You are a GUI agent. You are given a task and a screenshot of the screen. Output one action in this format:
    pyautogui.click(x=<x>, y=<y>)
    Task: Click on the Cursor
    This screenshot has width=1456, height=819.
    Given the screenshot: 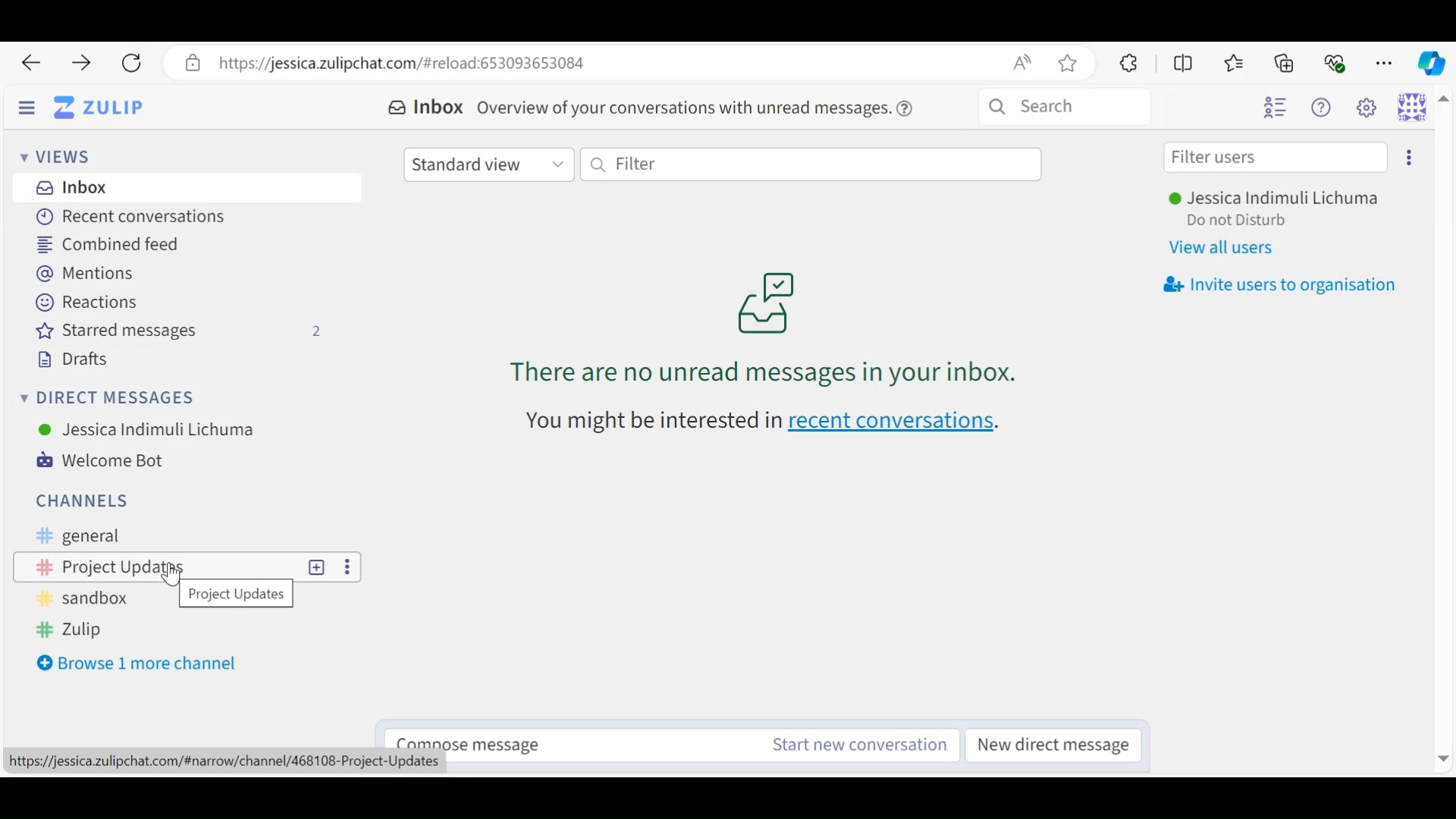 What is the action you would take?
    pyautogui.click(x=169, y=575)
    